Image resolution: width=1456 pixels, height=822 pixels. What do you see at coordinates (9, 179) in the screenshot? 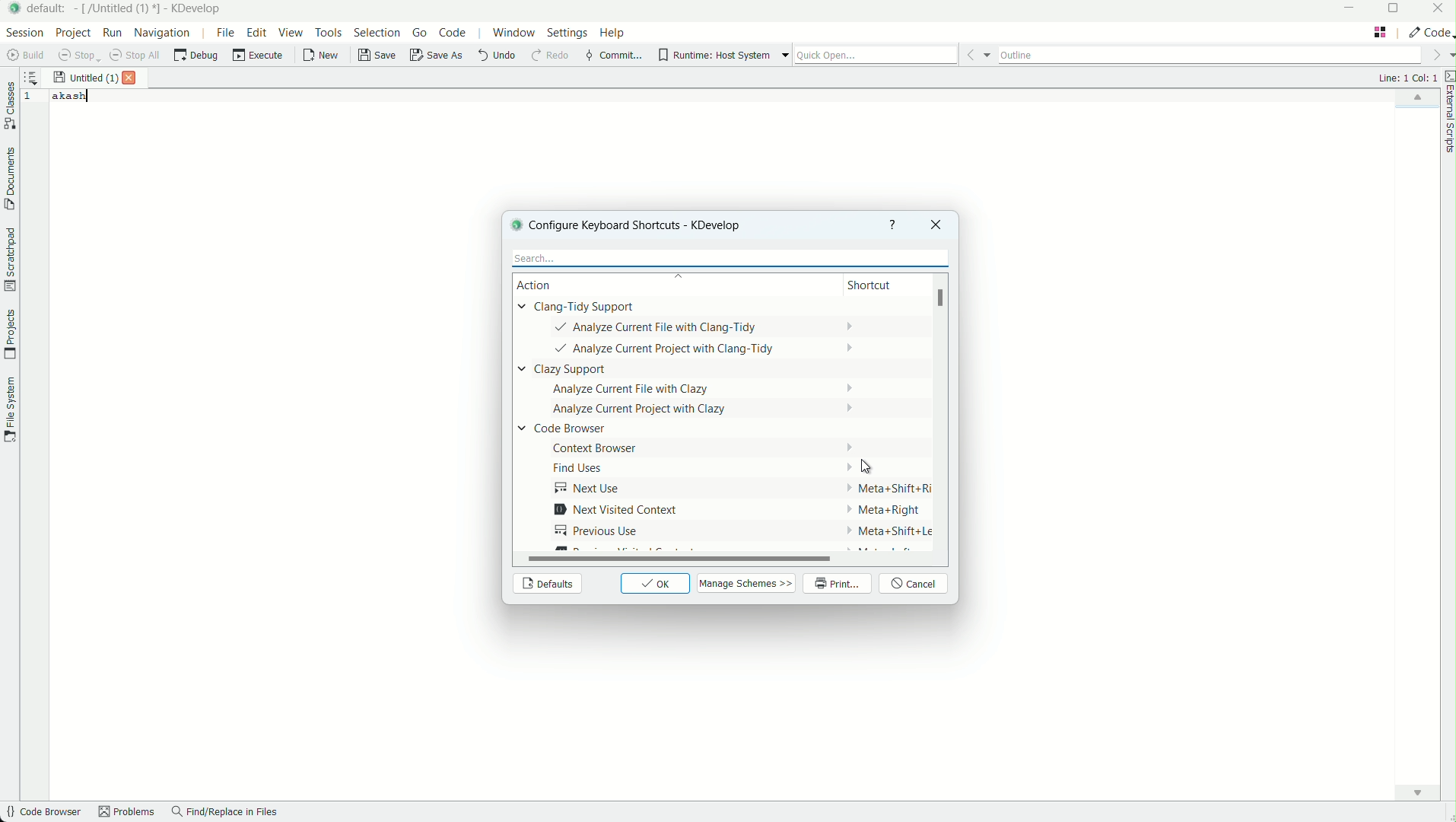
I see `documents` at bounding box center [9, 179].